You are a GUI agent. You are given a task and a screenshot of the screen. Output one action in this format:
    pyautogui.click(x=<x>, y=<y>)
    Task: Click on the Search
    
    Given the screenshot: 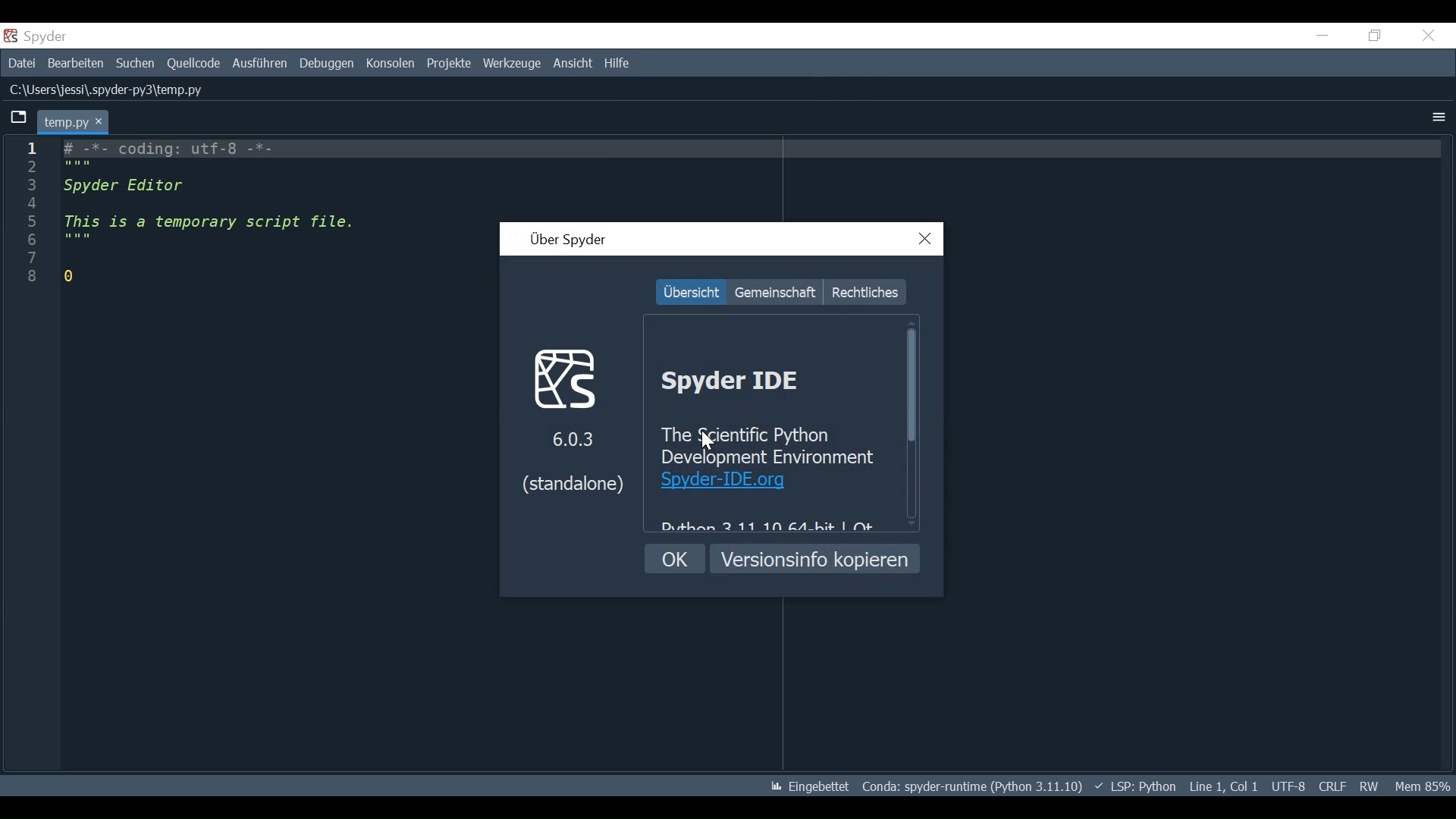 What is the action you would take?
    pyautogui.click(x=135, y=64)
    